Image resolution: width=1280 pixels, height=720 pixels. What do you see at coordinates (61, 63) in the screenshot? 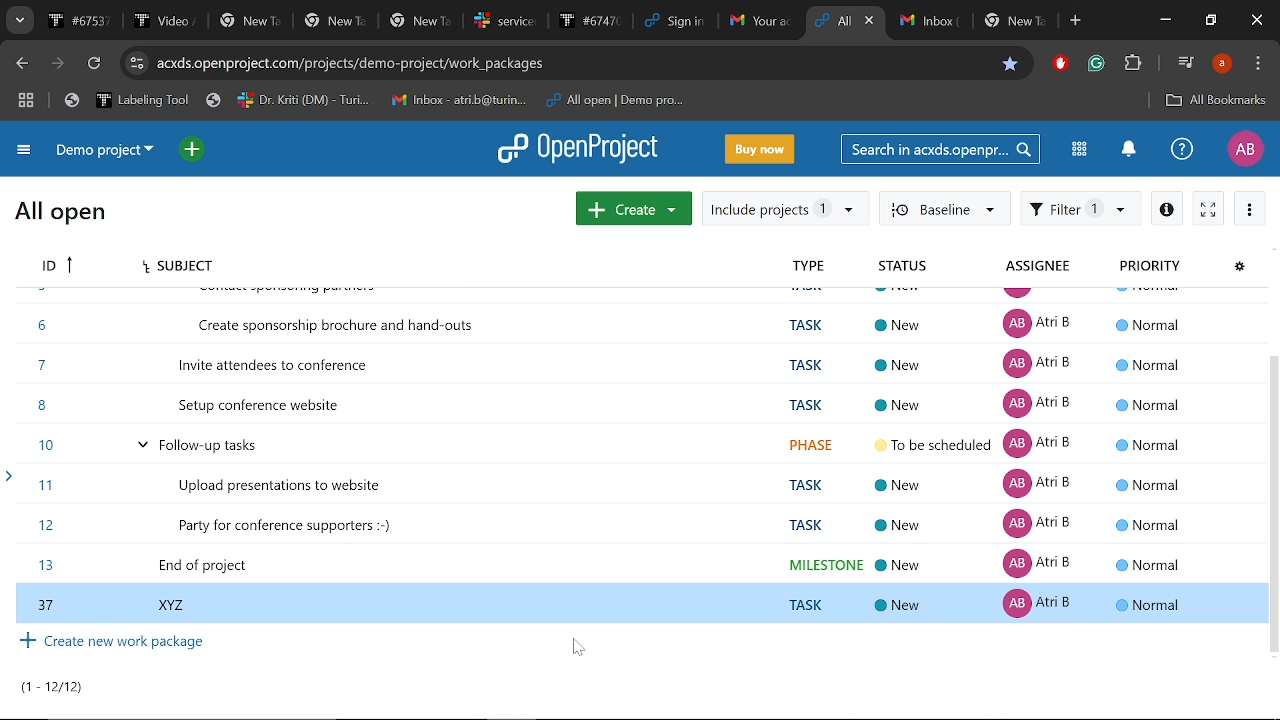
I see `Next page` at bounding box center [61, 63].